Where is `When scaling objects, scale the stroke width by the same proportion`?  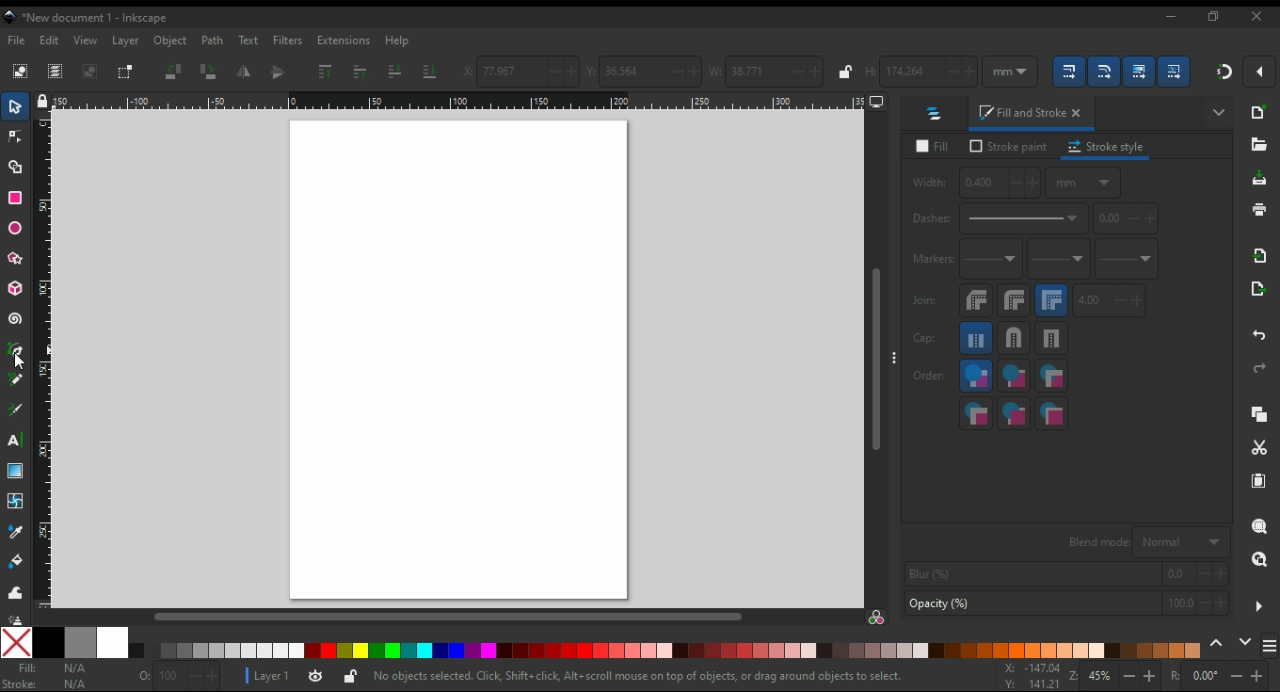 When scaling objects, scale the stroke width by the same proportion is located at coordinates (1071, 72).